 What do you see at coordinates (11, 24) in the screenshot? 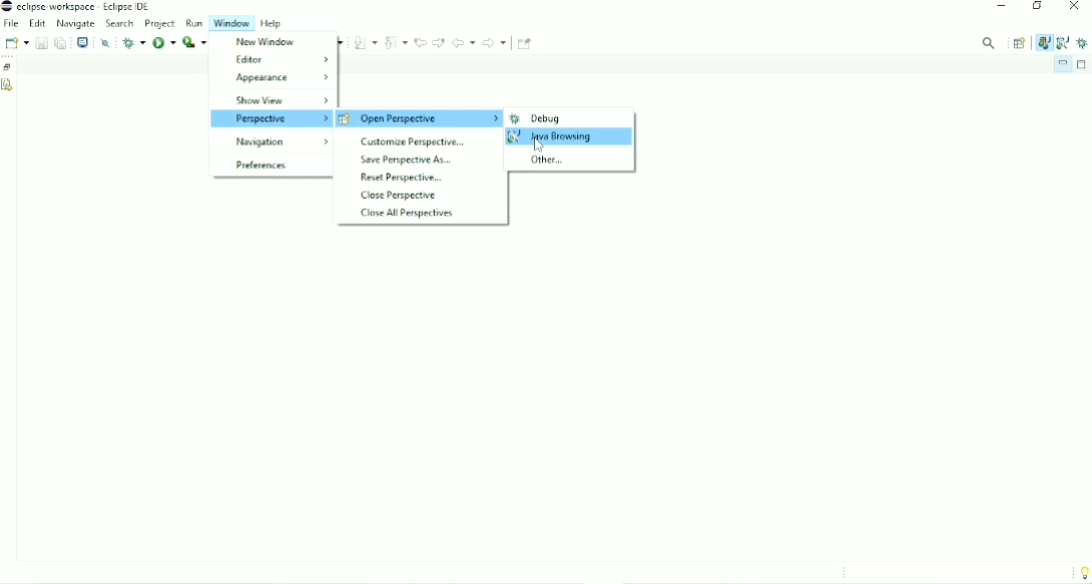
I see `File` at bounding box center [11, 24].